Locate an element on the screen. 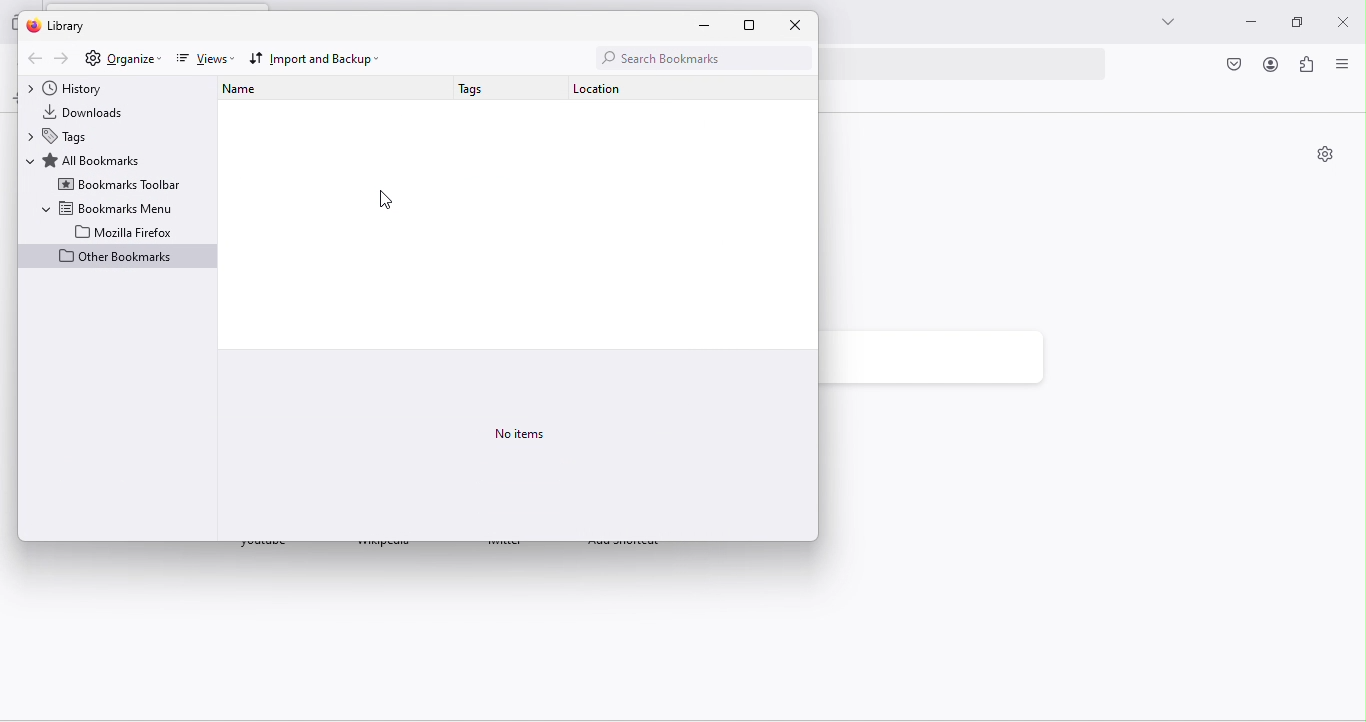 Image resolution: width=1366 pixels, height=722 pixels. visit chrome is located at coordinates (1236, 66).